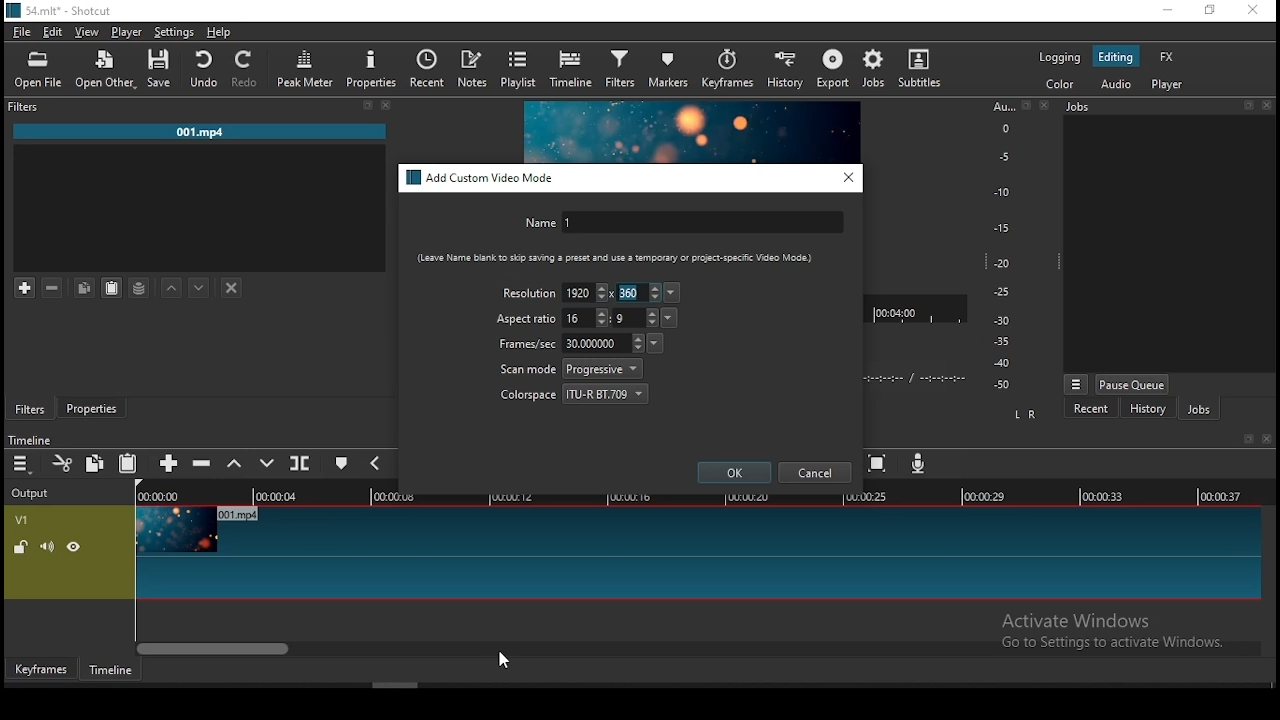  What do you see at coordinates (1115, 83) in the screenshot?
I see `audio` at bounding box center [1115, 83].